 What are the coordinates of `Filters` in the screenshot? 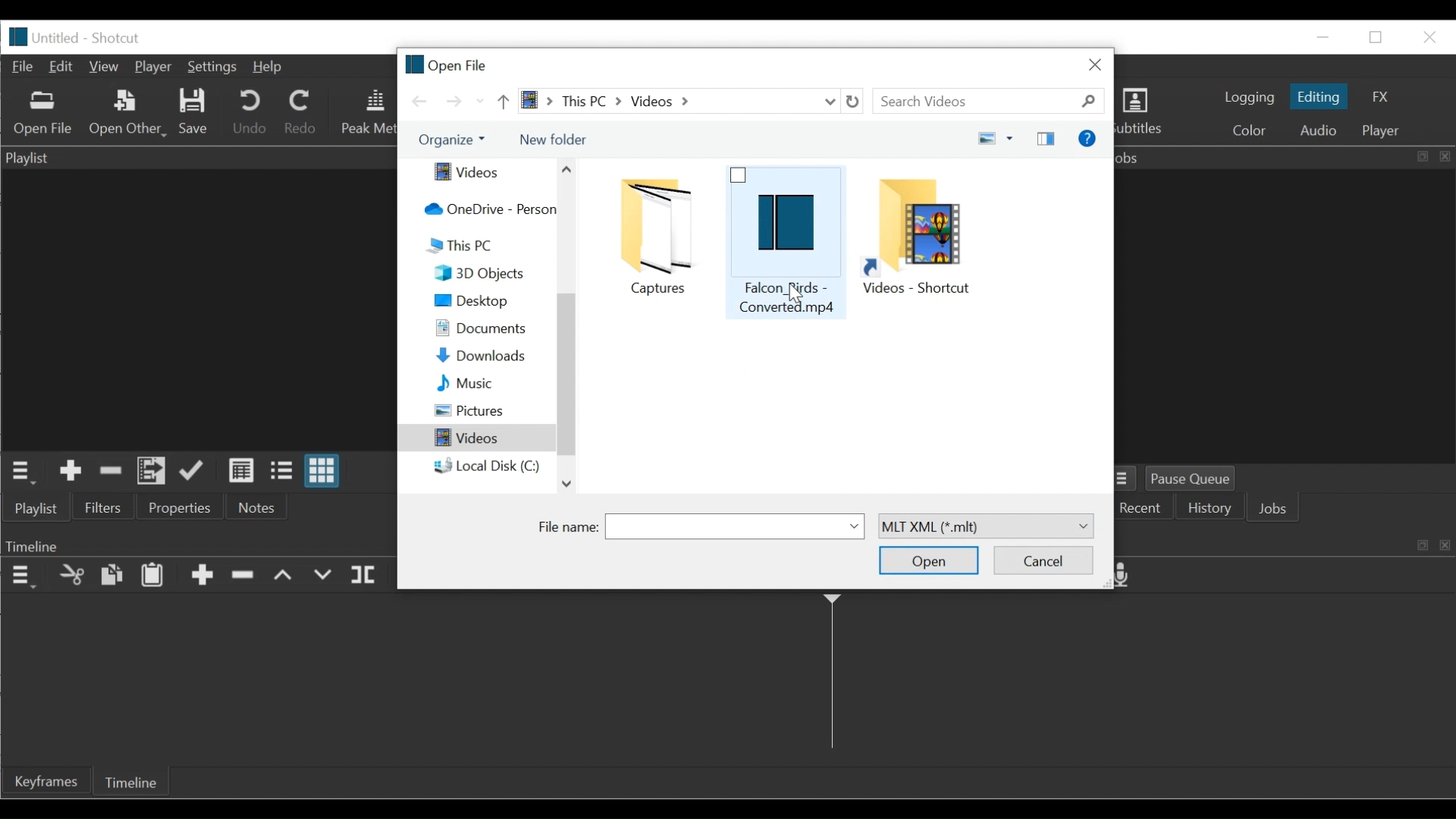 It's located at (102, 506).